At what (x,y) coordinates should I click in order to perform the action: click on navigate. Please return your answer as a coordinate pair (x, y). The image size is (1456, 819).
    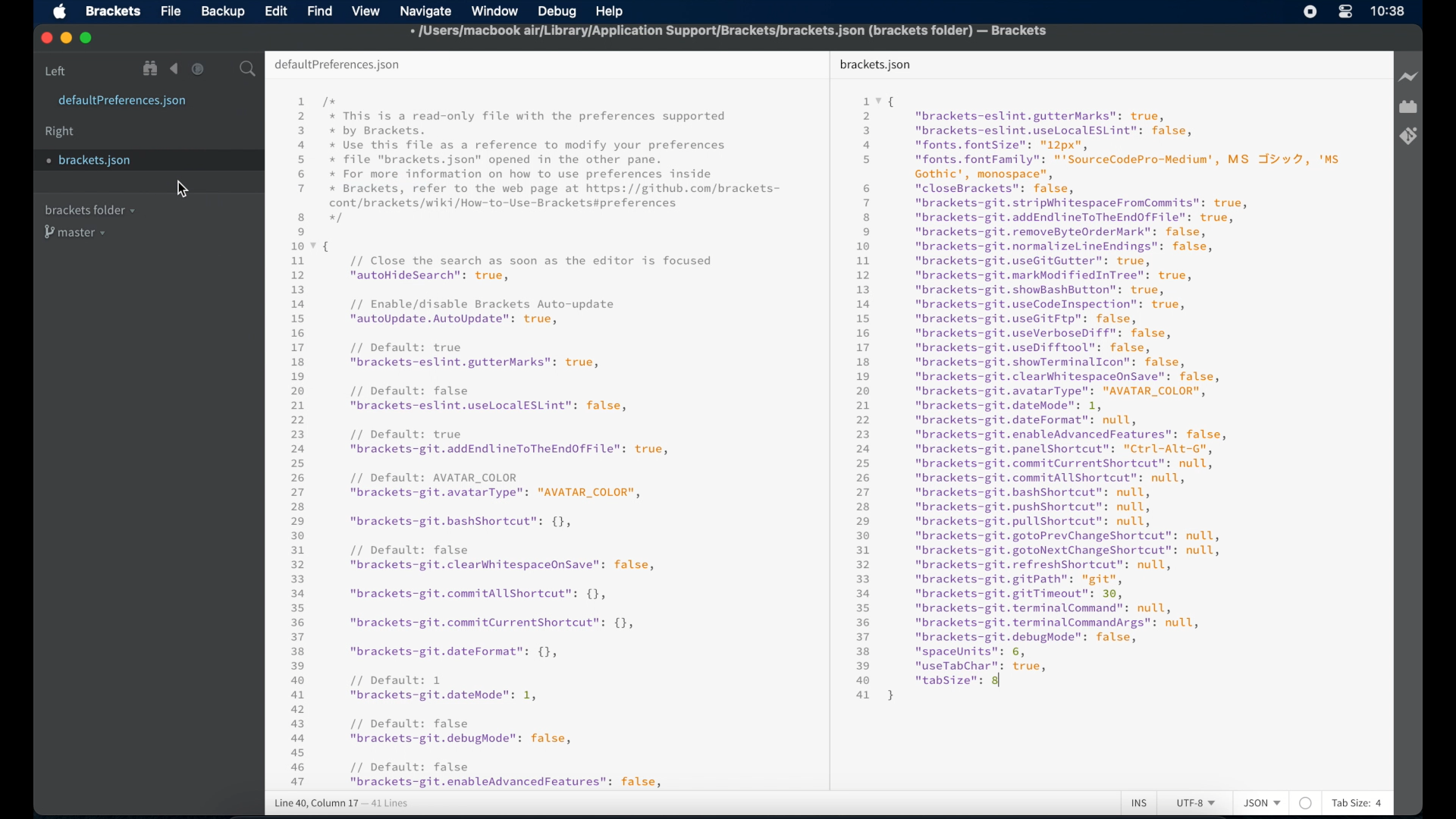
    Looking at the image, I should click on (425, 12).